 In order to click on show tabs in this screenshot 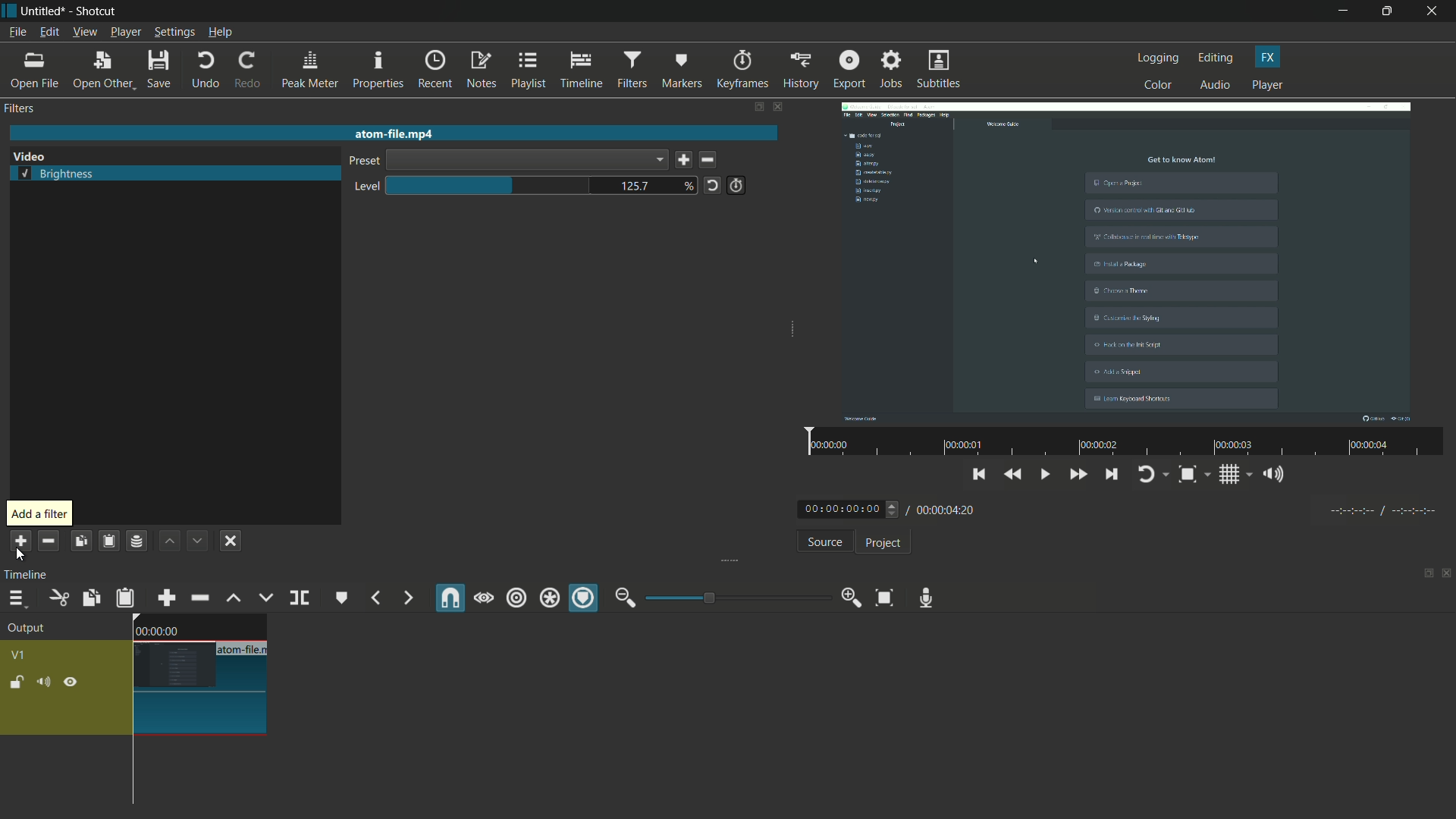, I will do `click(1423, 575)`.